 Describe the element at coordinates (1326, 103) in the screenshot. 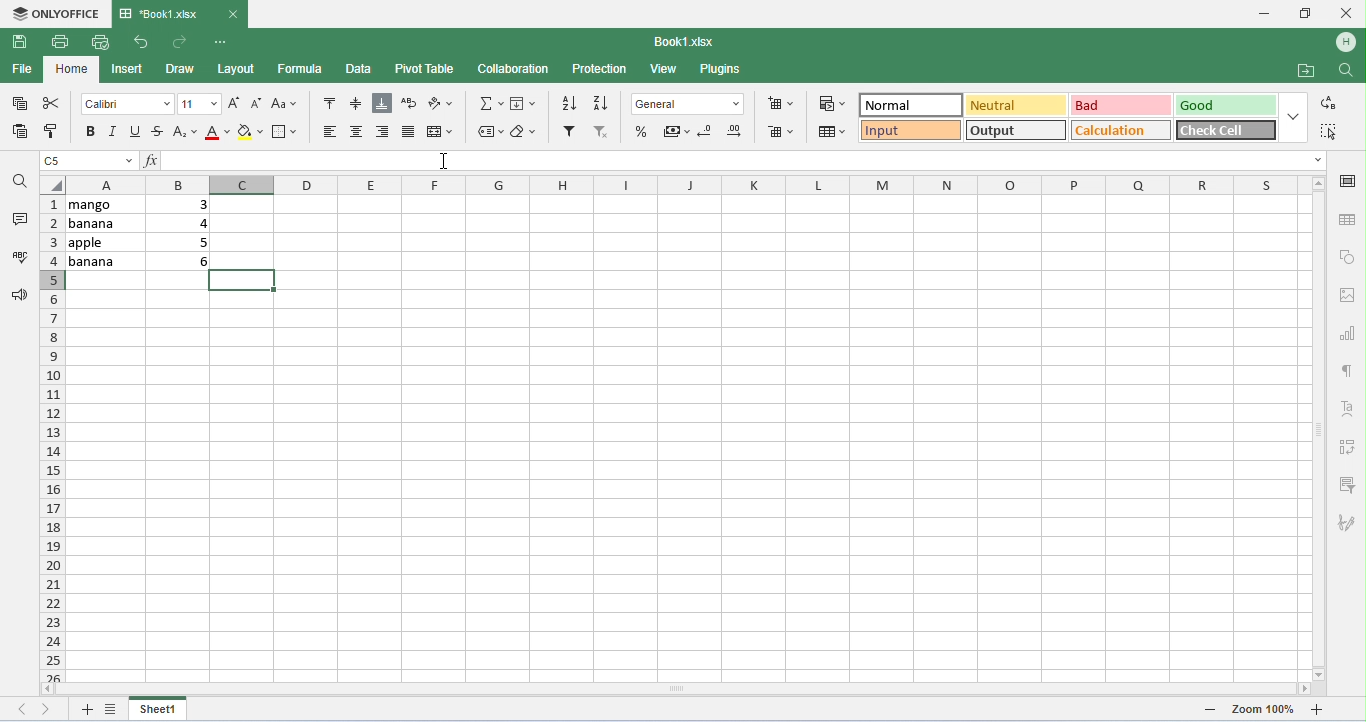

I see `replace` at that location.